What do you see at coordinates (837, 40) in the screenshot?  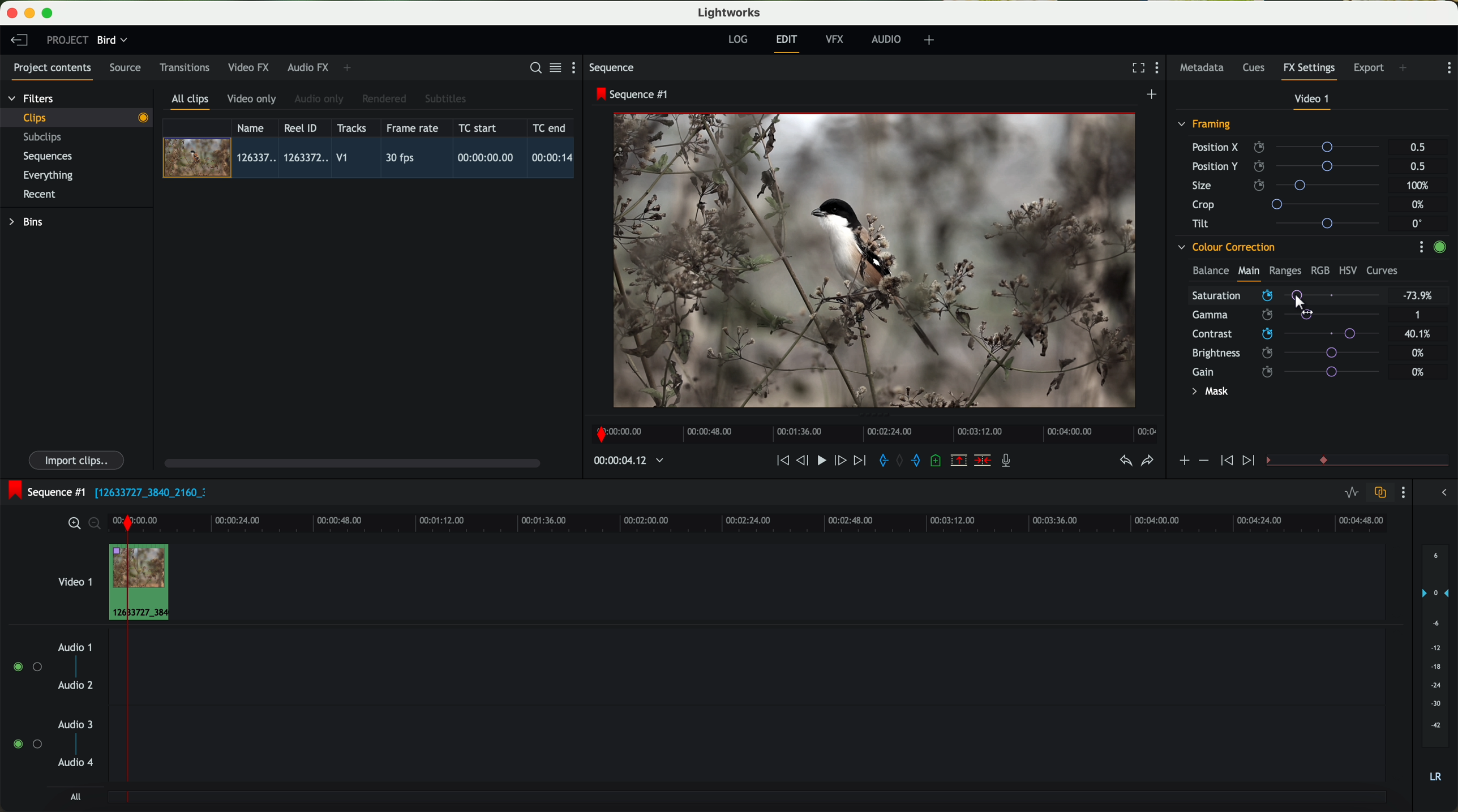 I see `VFX` at bounding box center [837, 40].